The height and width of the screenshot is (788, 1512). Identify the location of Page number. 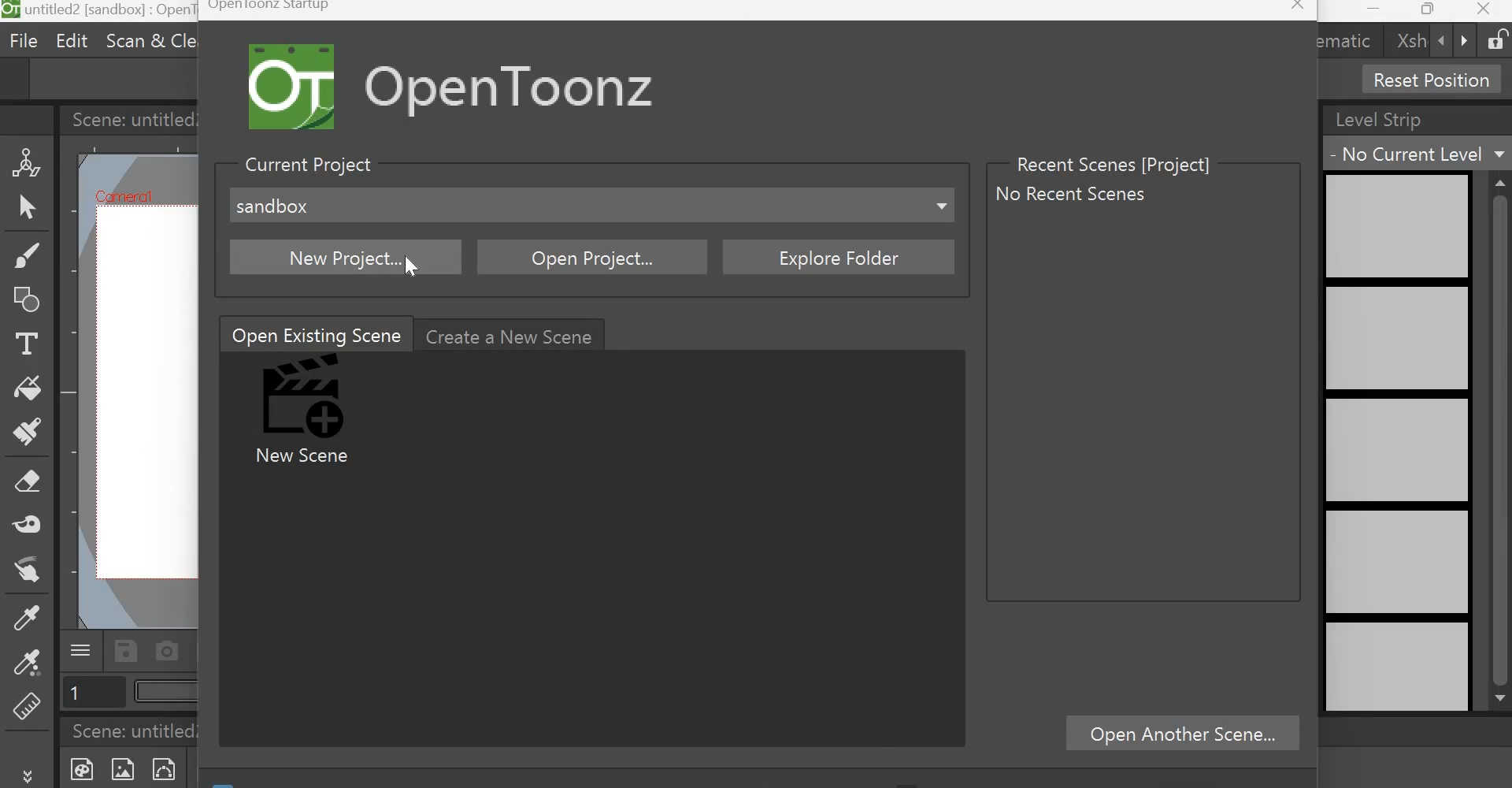
(93, 694).